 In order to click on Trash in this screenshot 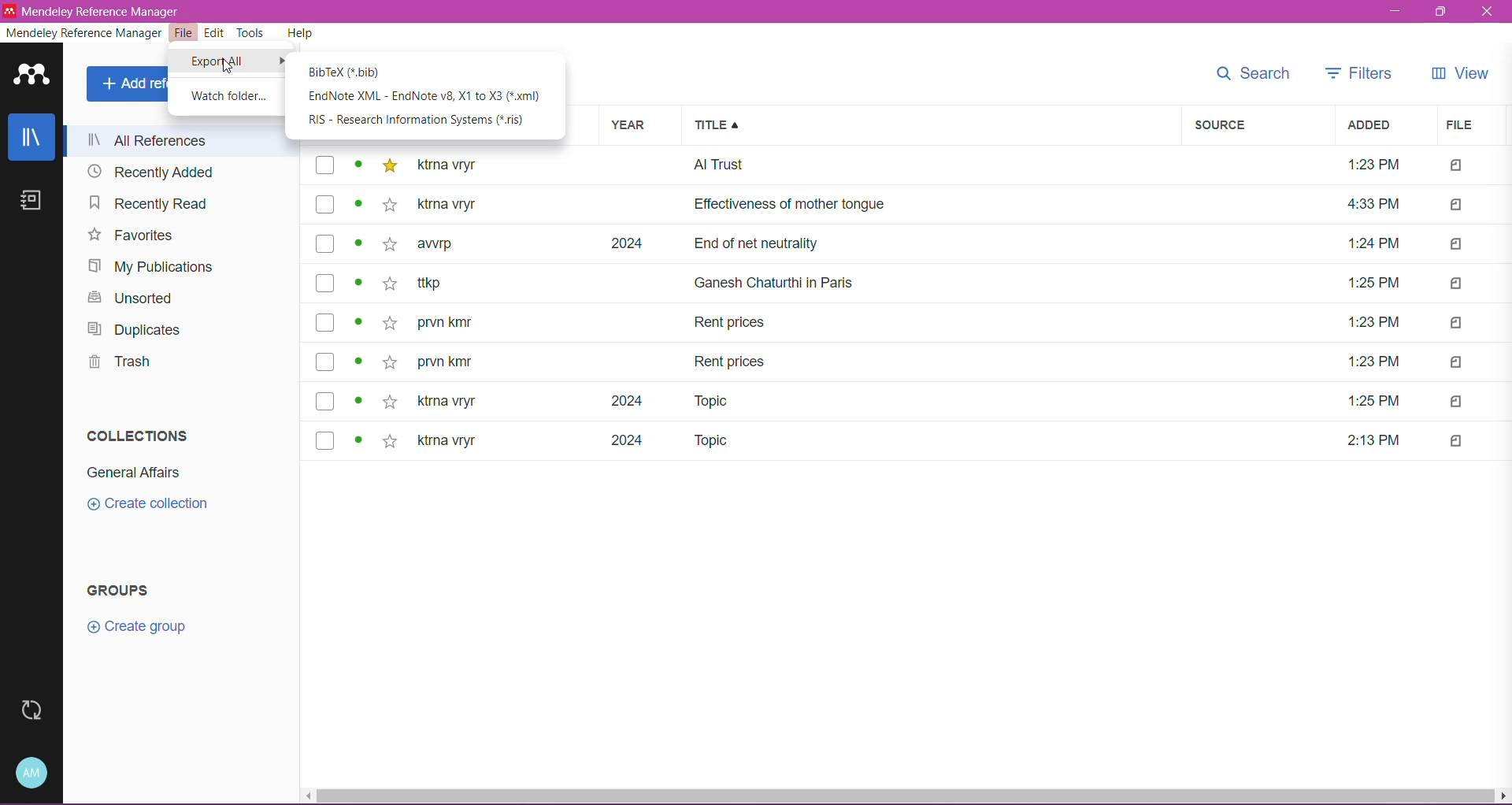, I will do `click(120, 365)`.